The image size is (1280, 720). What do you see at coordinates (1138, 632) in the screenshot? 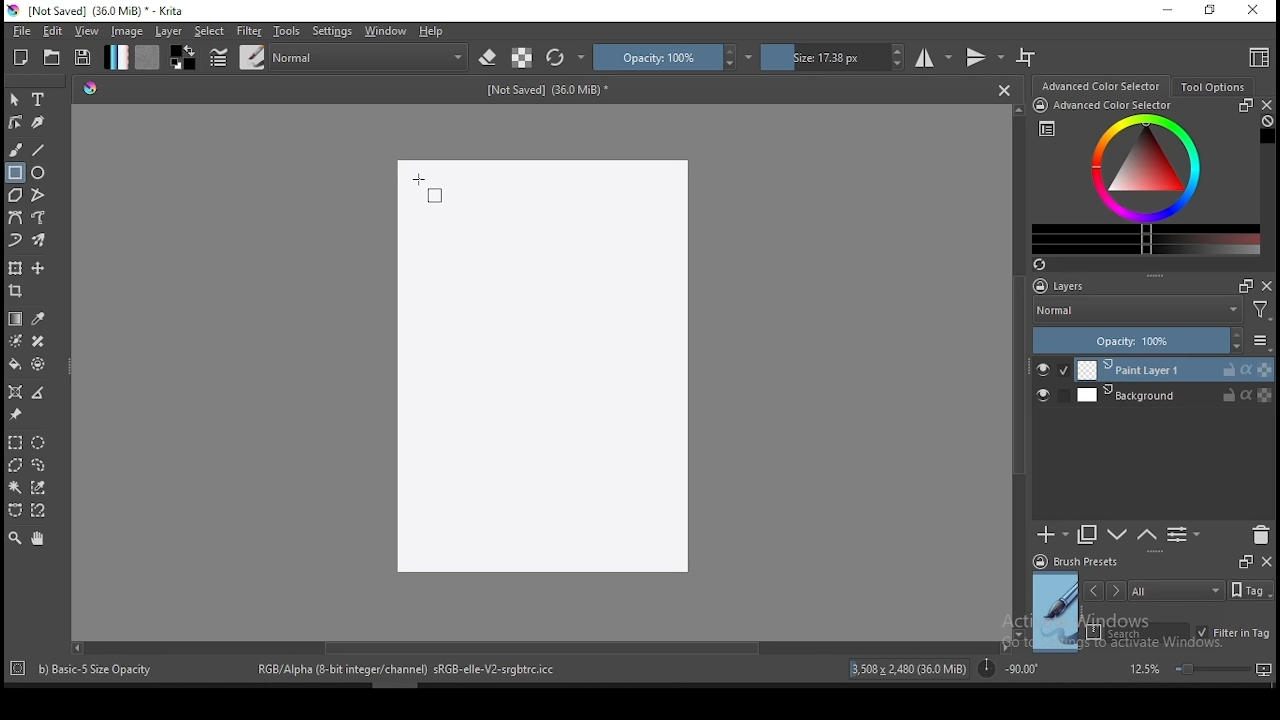
I see `search` at bounding box center [1138, 632].